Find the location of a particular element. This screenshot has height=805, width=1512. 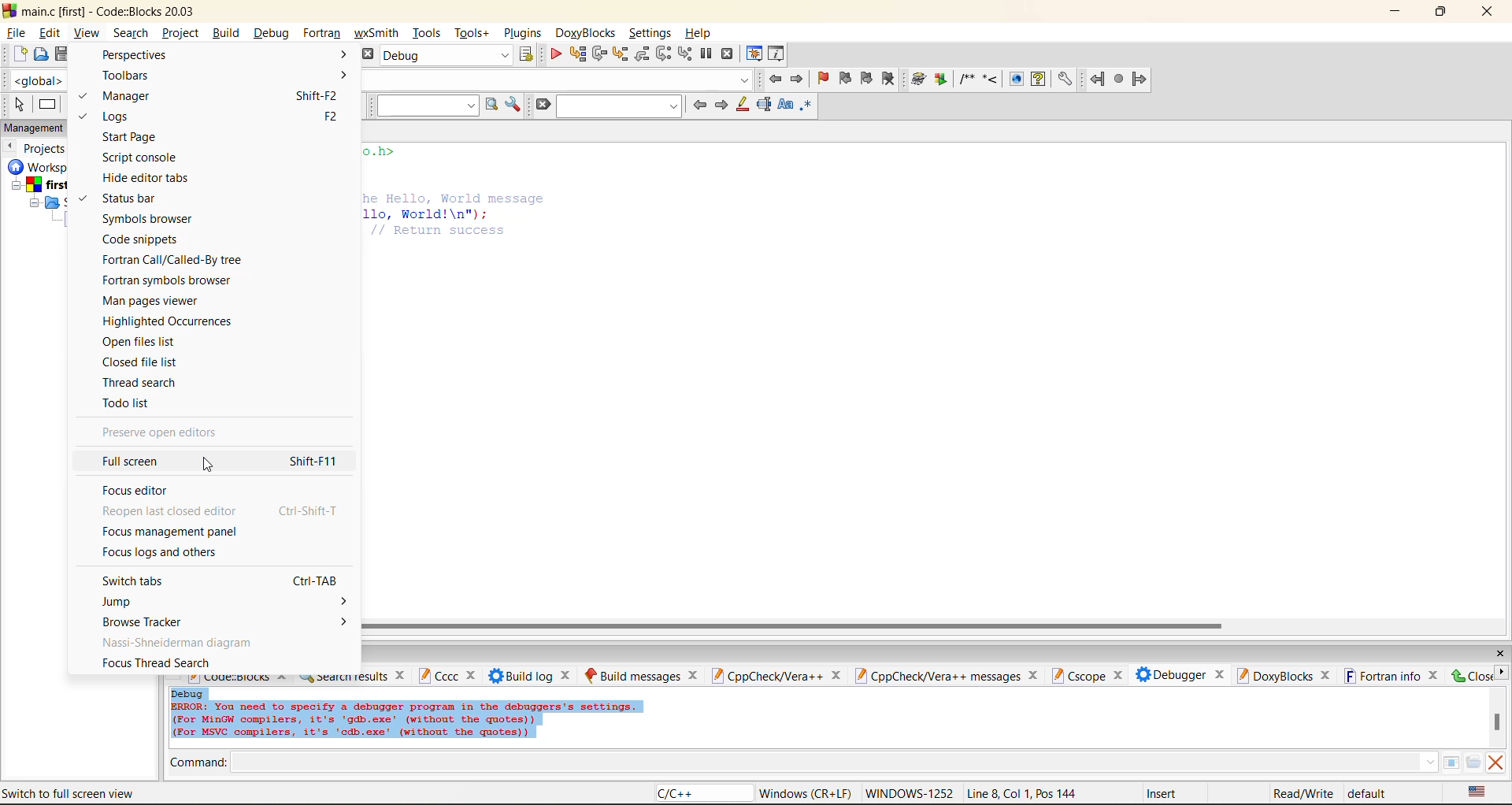

various info is located at coordinates (780, 55).